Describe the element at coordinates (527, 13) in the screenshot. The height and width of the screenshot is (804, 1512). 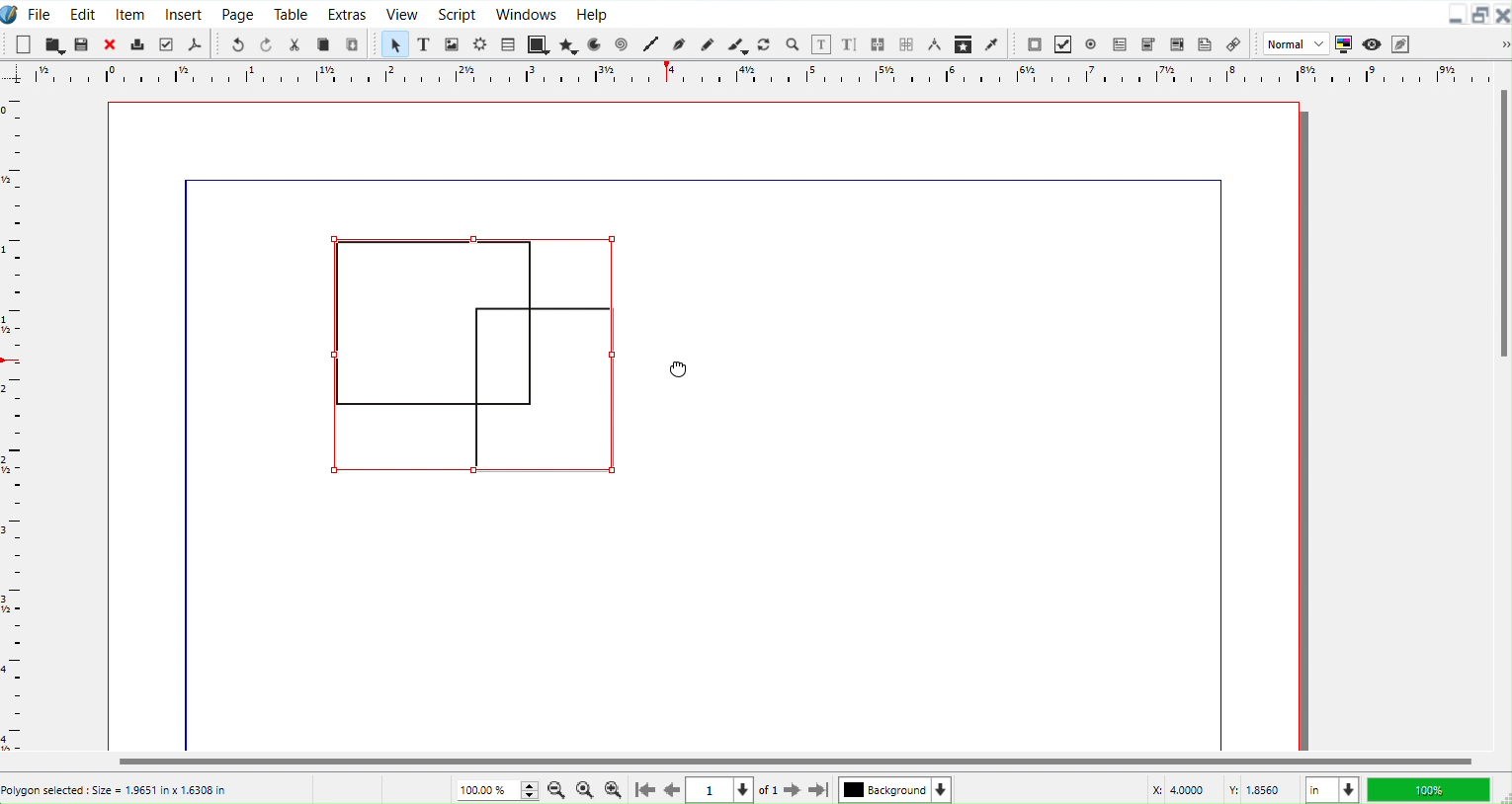
I see `Window` at that location.